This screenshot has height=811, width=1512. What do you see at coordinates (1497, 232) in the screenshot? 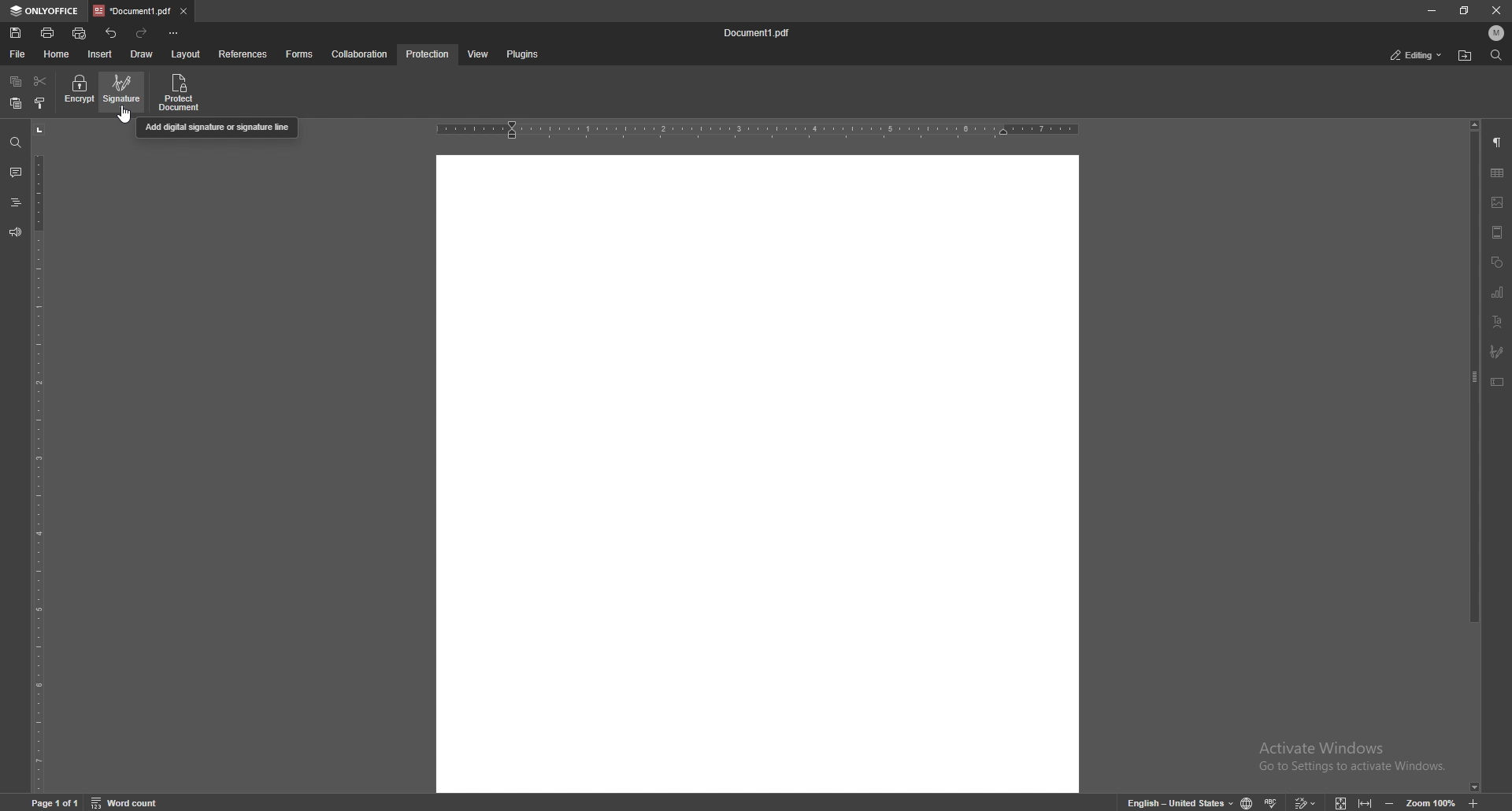
I see `header and footer` at bounding box center [1497, 232].